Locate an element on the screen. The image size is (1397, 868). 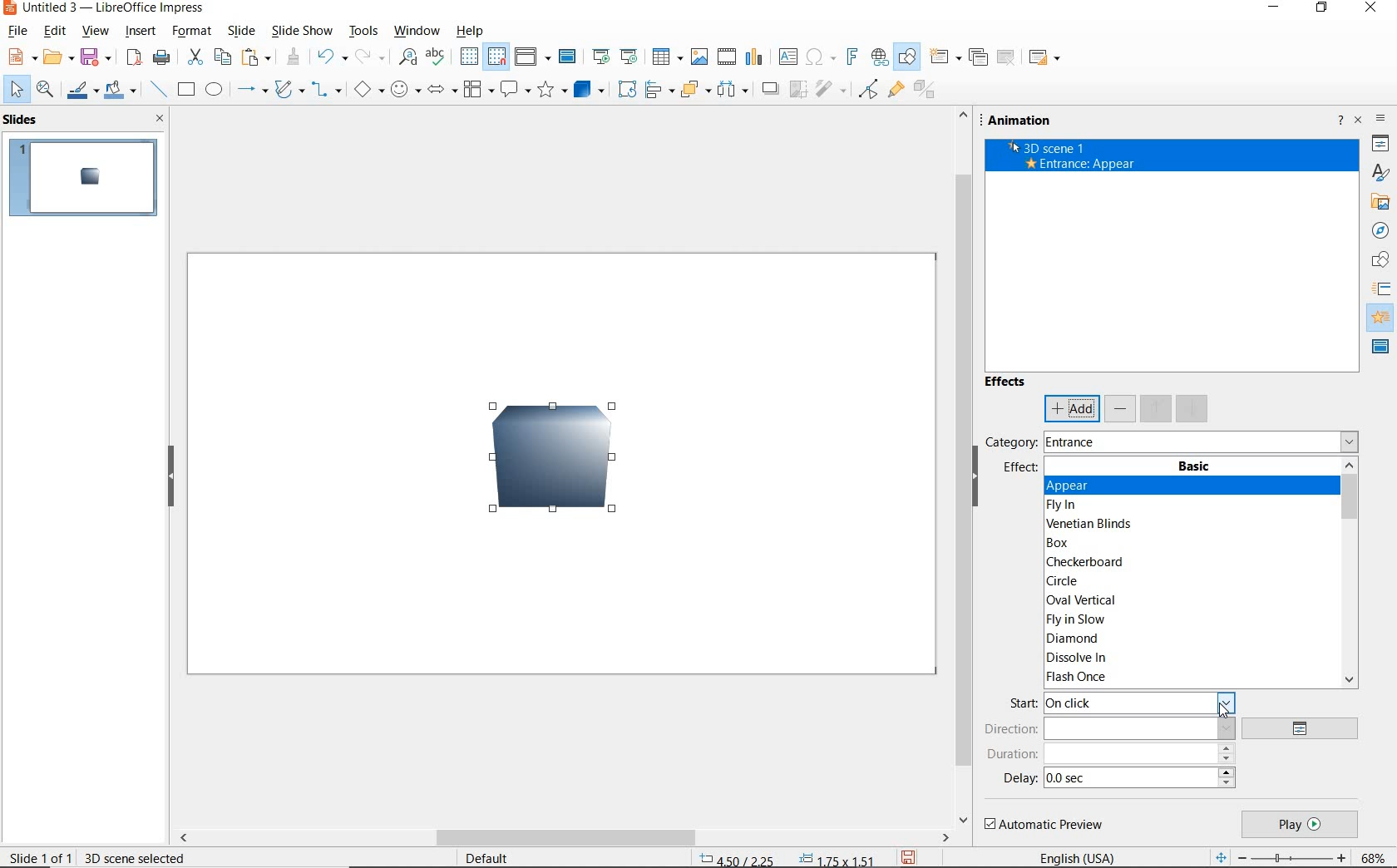
view is located at coordinates (96, 32).